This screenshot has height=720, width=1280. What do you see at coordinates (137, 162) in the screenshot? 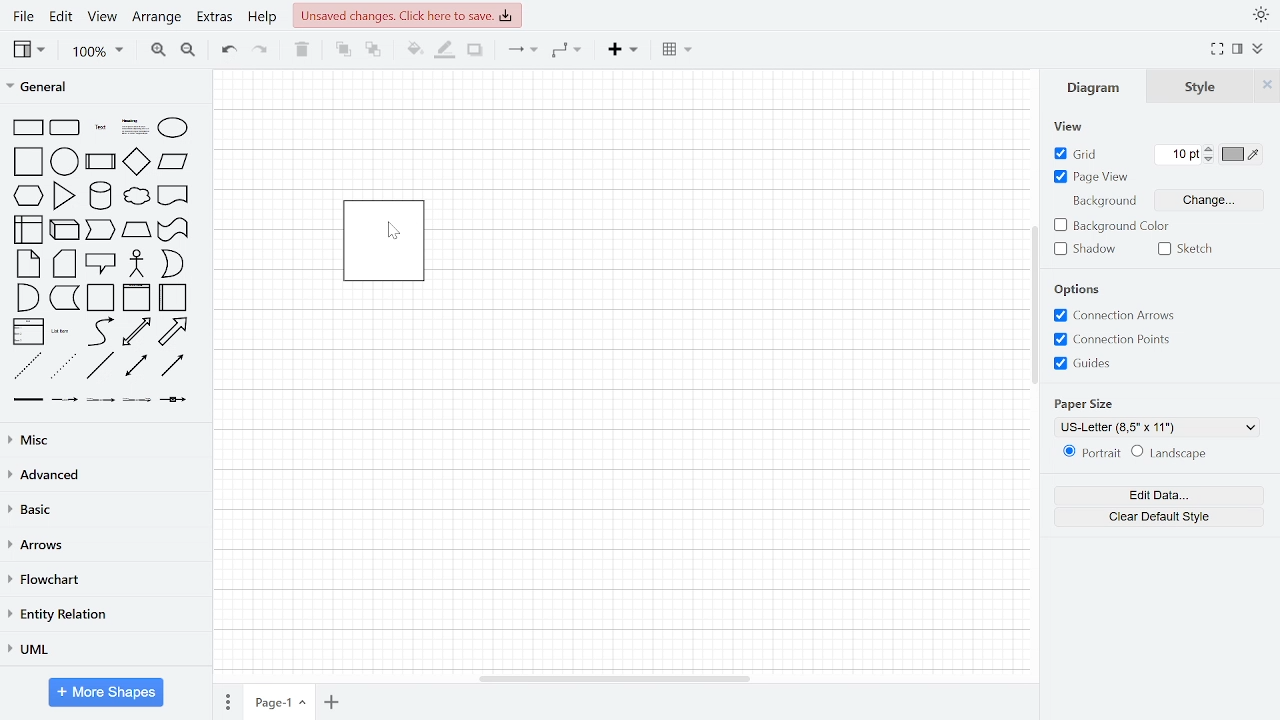
I see `diamond` at bounding box center [137, 162].